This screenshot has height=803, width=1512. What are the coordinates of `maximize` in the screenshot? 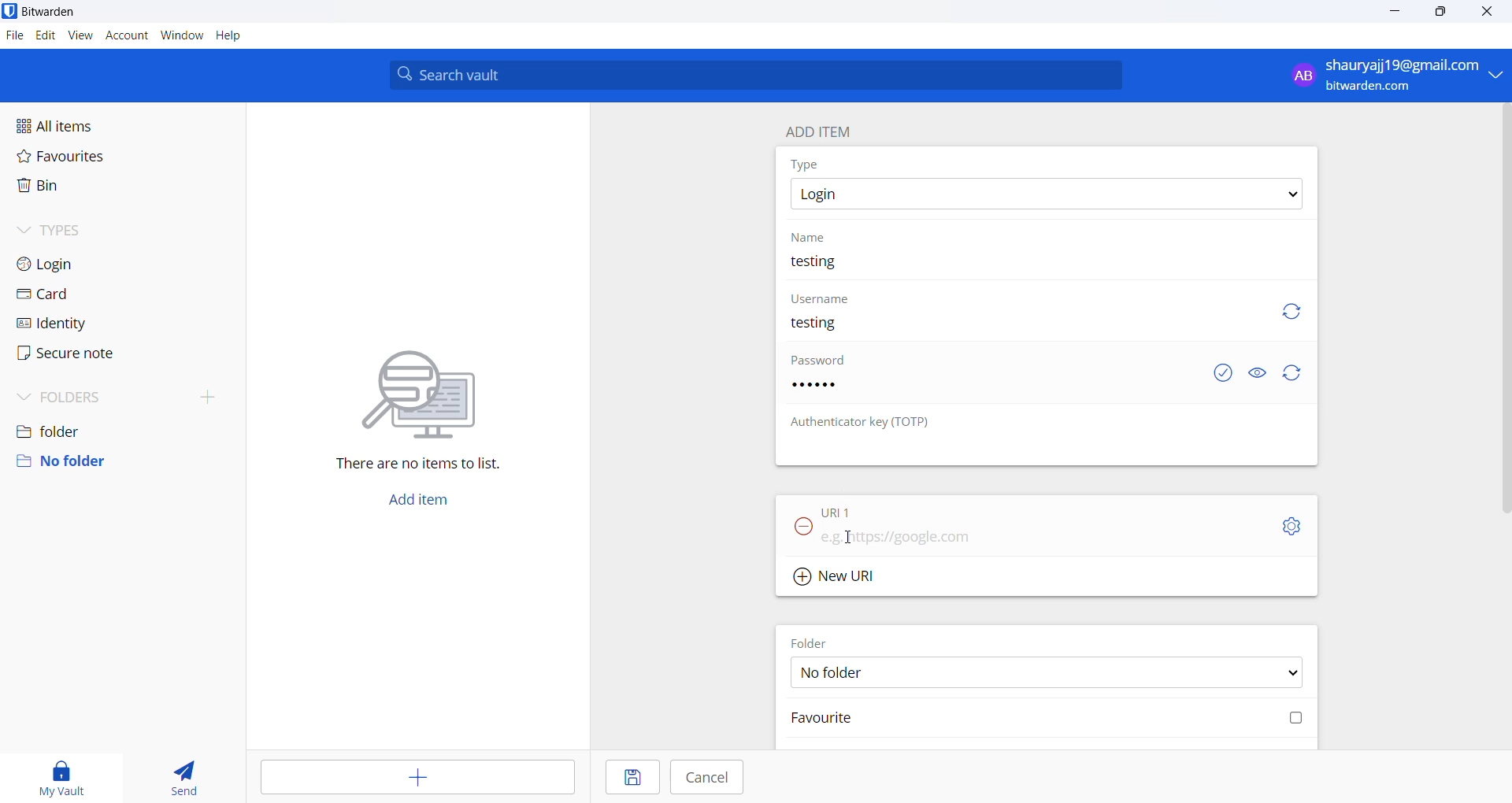 It's located at (1443, 13).